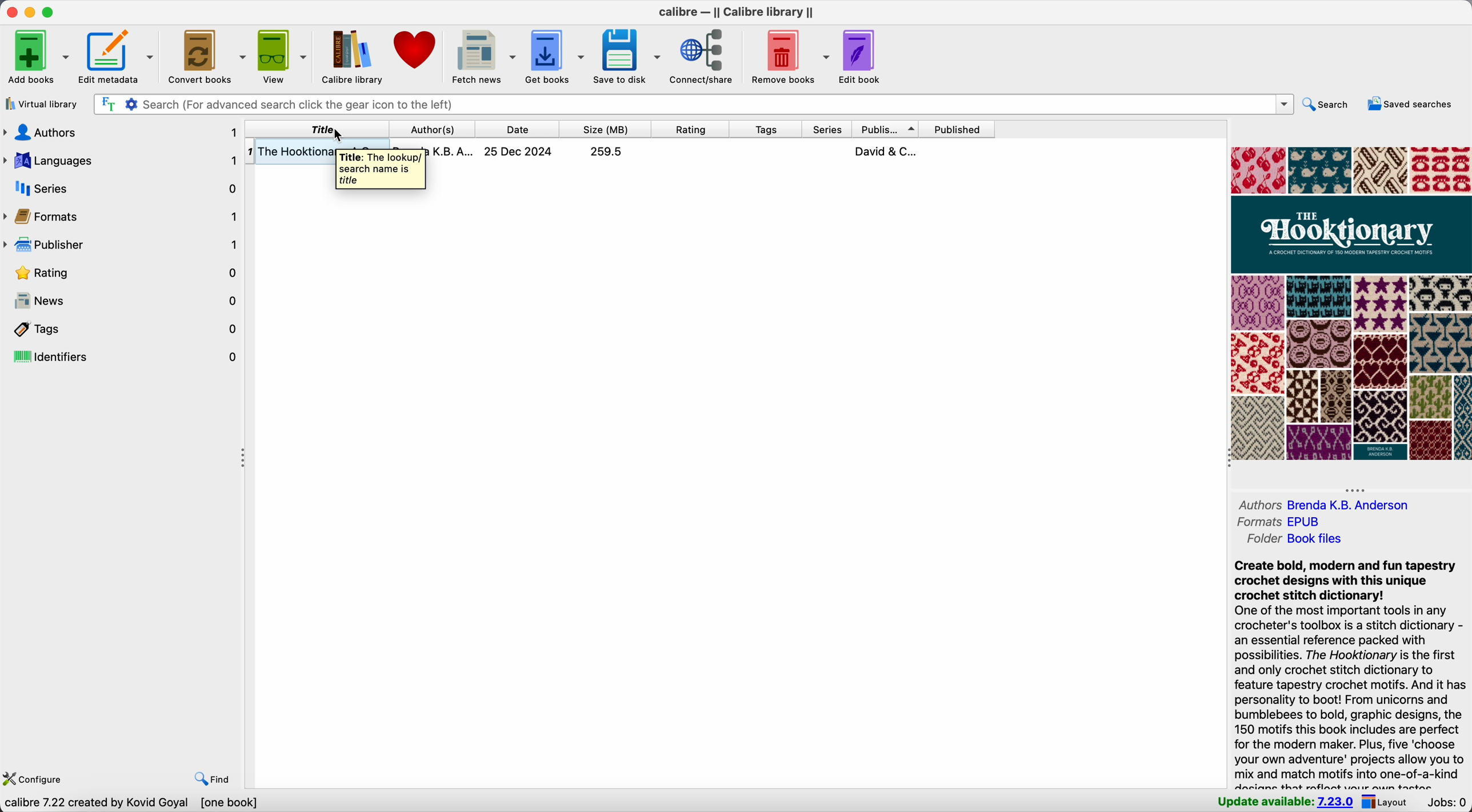 This screenshot has height=812, width=1472. Describe the element at coordinates (315, 129) in the screenshot. I see `Title` at that location.